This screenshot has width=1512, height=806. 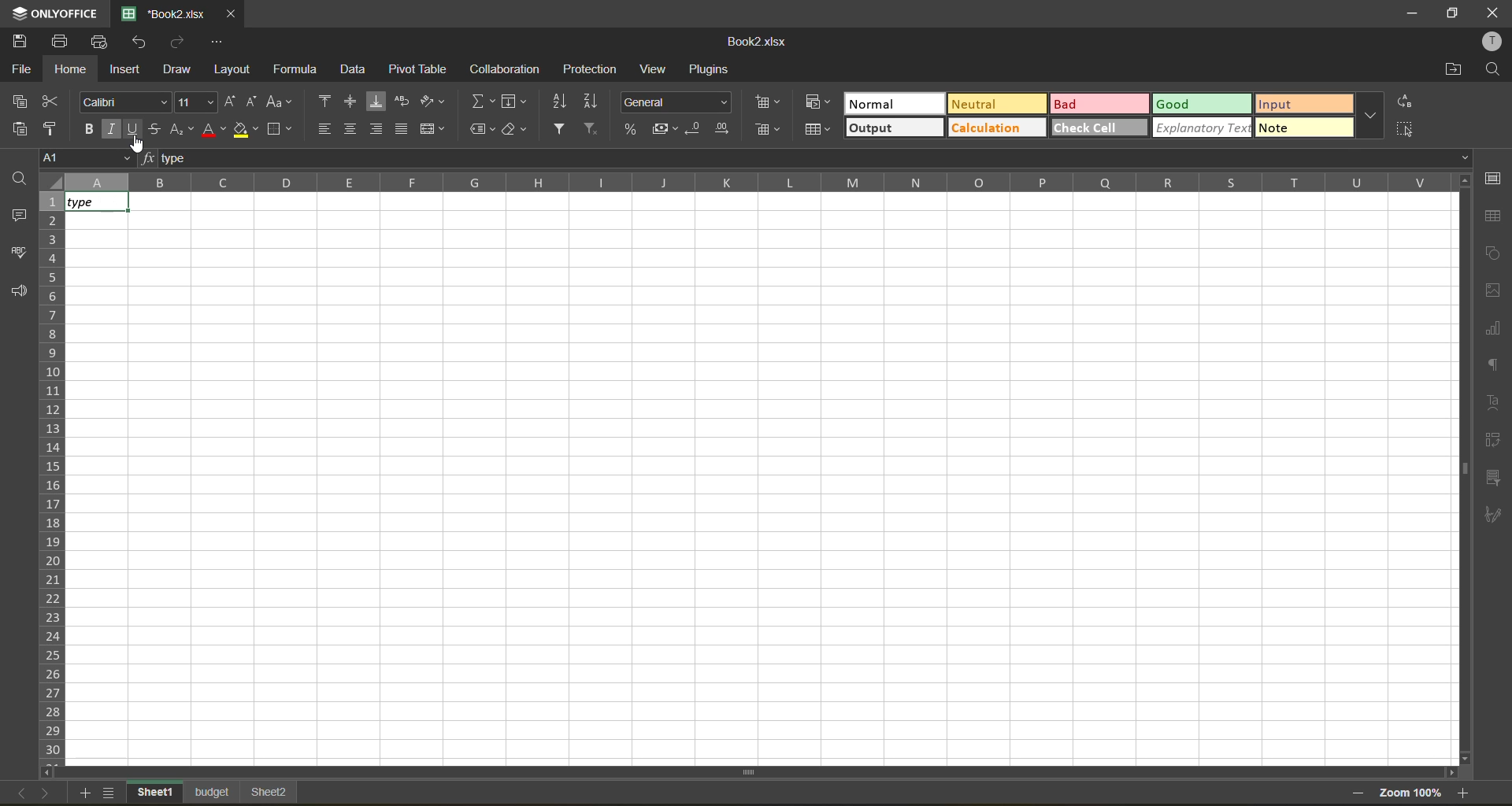 What do you see at coordinates (1492, 177) in the screenshot?
I see `cell settings` at bounding box center [1492, 177].